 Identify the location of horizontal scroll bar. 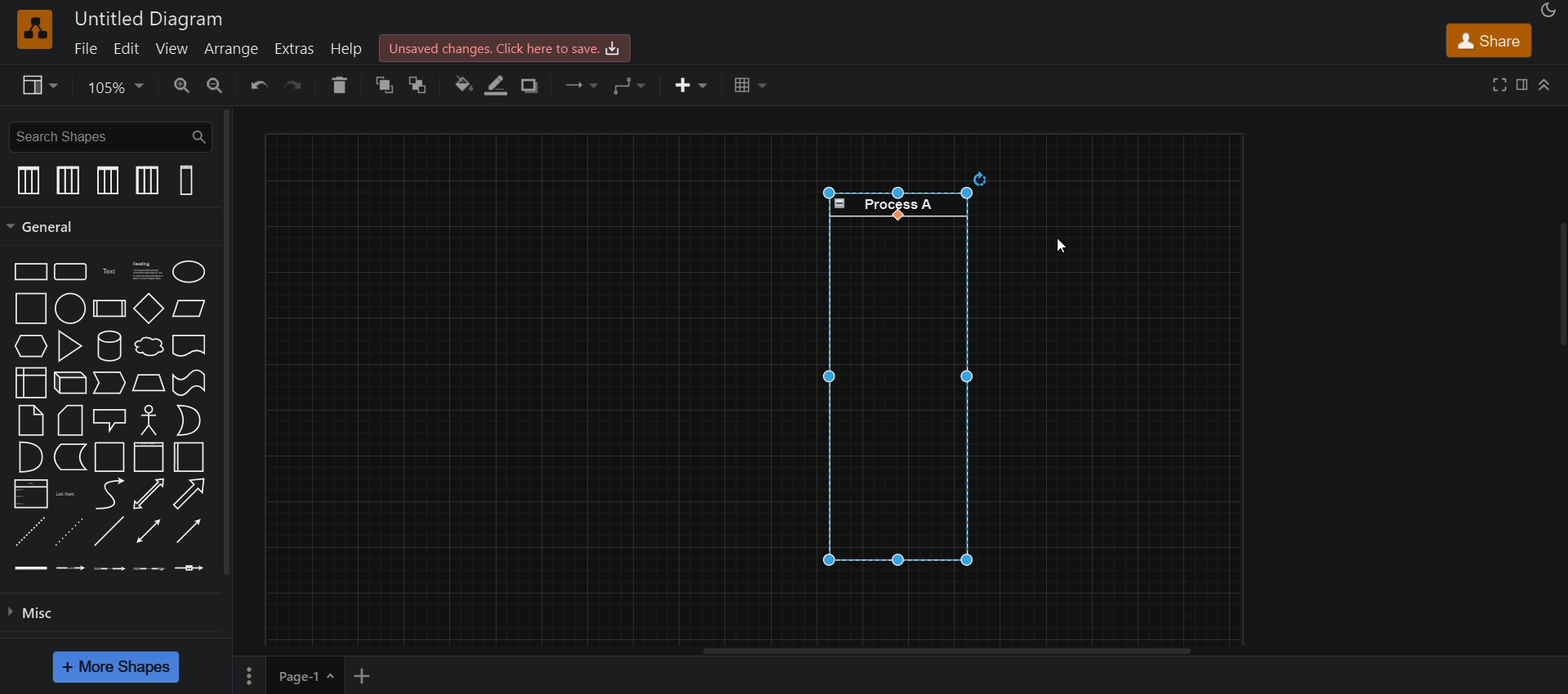
(946, 652).